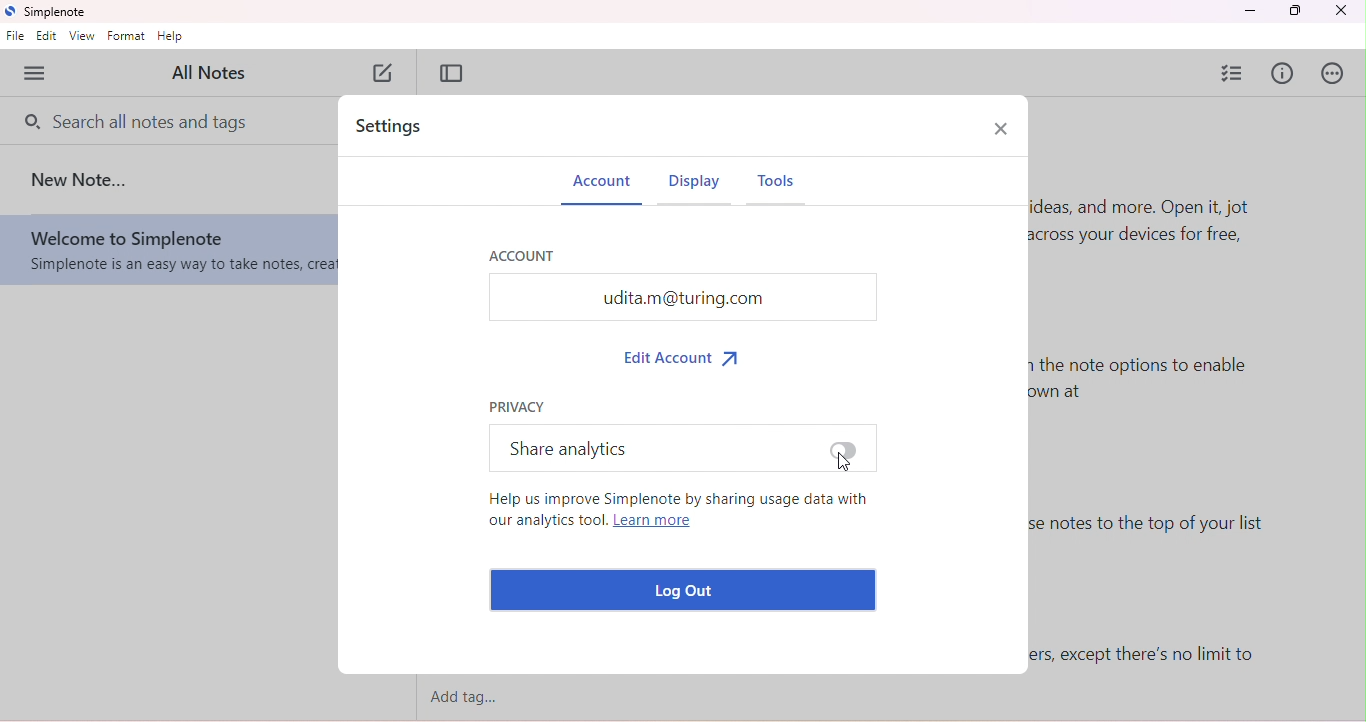 The width and height of the screenshot is (1366, 722). I want to click on privacy, so click(519, 405).